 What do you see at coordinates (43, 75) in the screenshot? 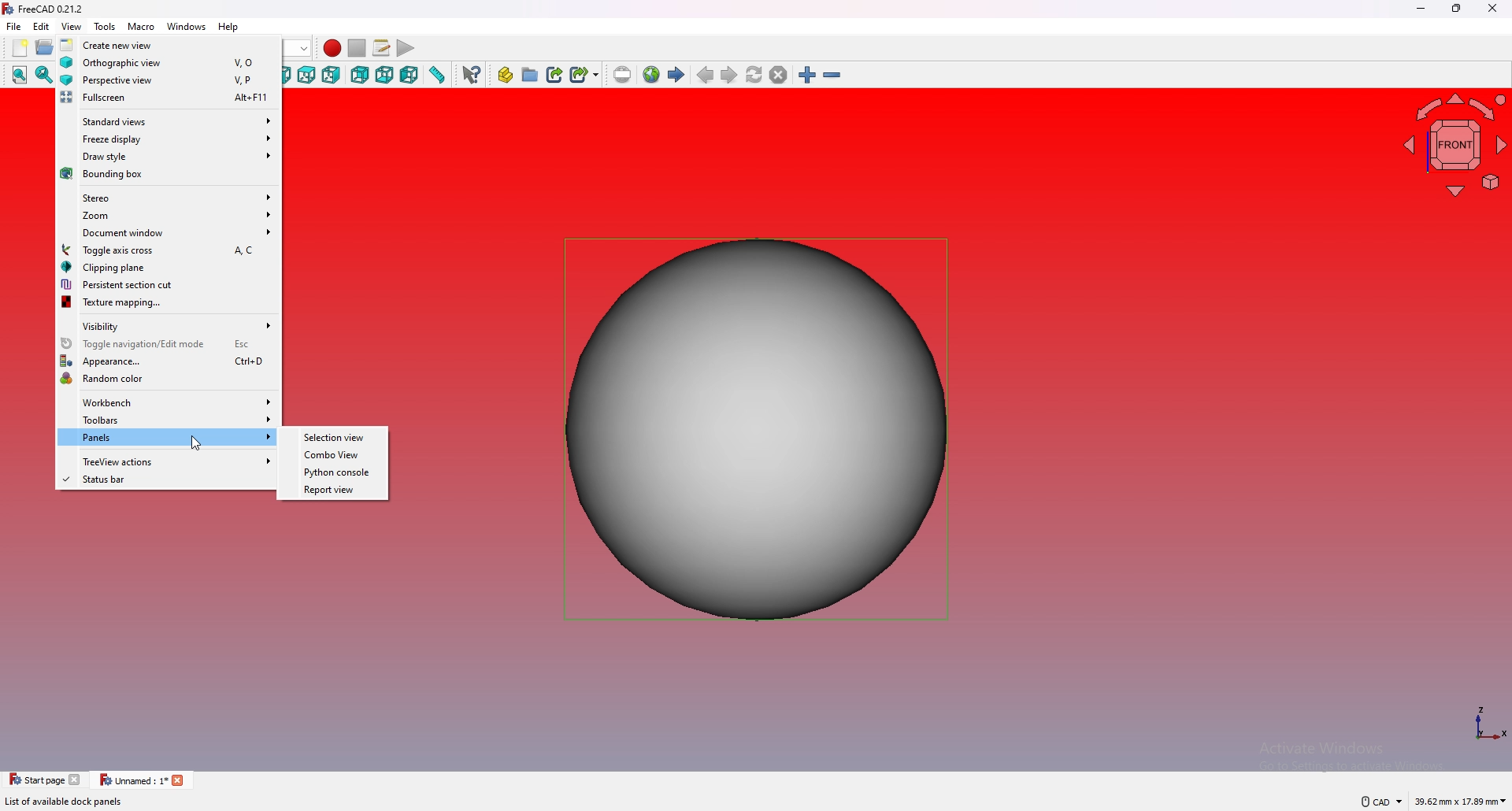
I see `fit selection` at bounding box center [43, 75].